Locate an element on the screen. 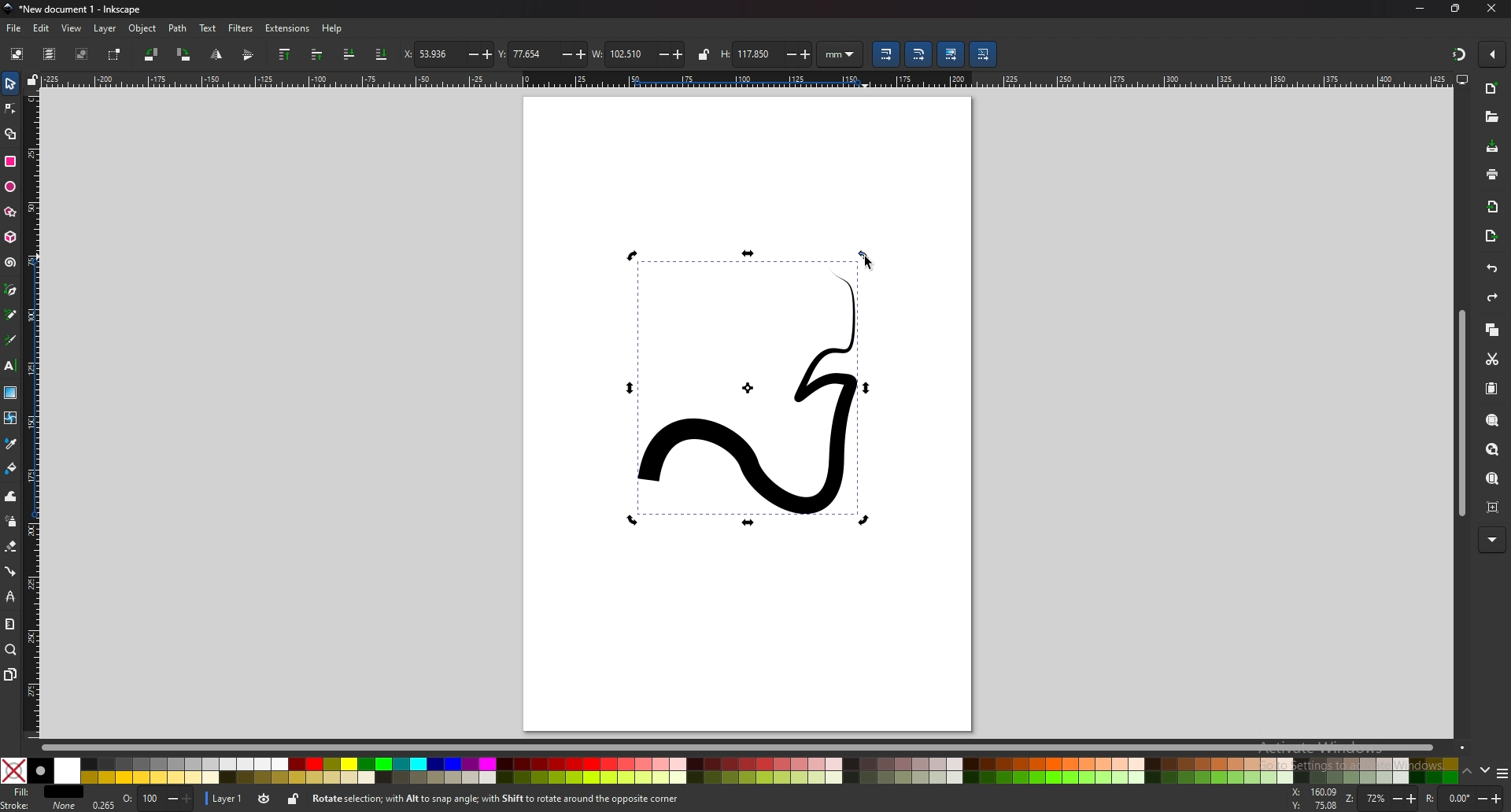 Image resolution: width=1511 pixels, height=812 pixels. cursor is located at coordinates (866, 260).